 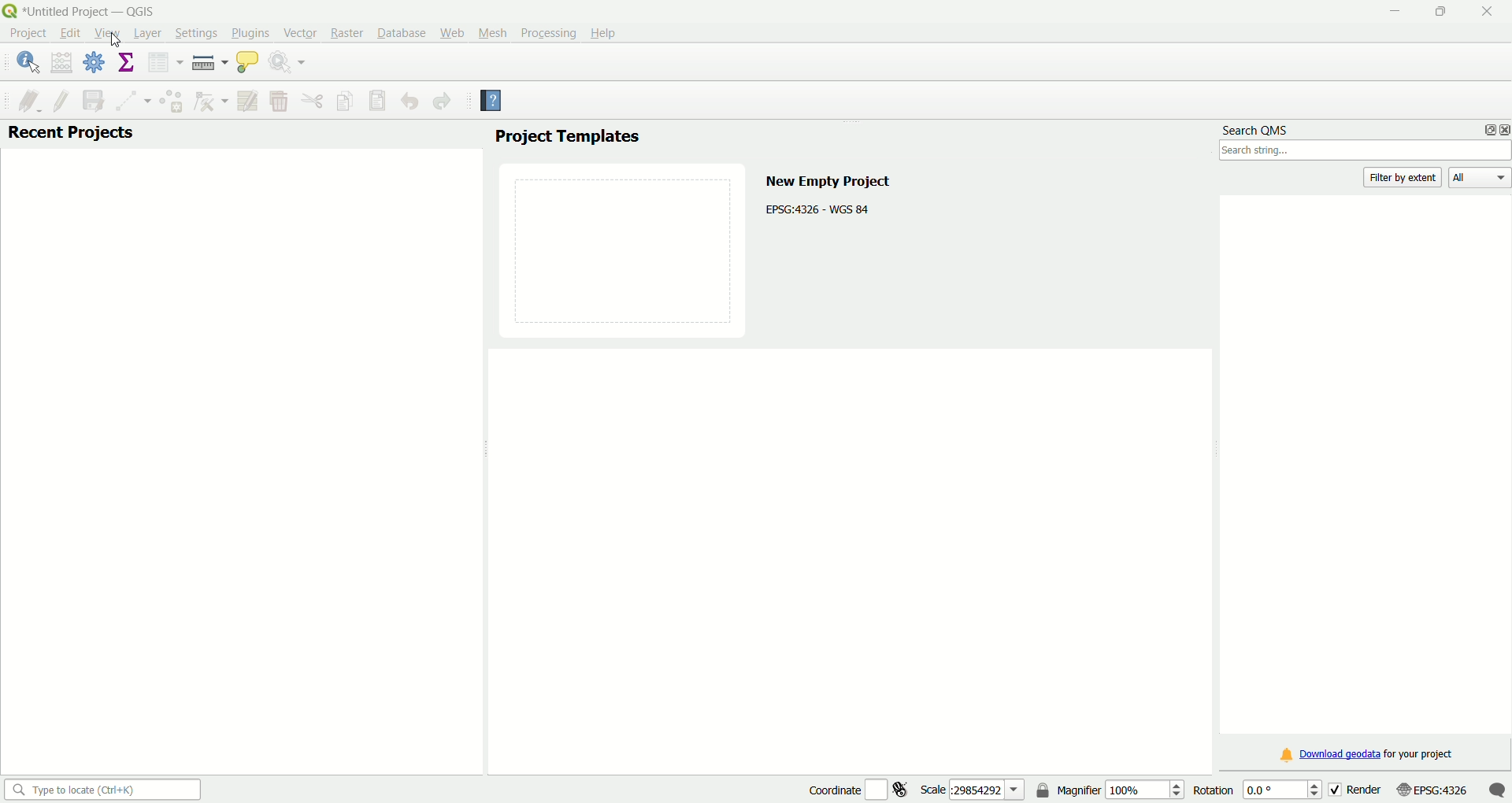 I want to click on help contents, so click(x=492, y=102).